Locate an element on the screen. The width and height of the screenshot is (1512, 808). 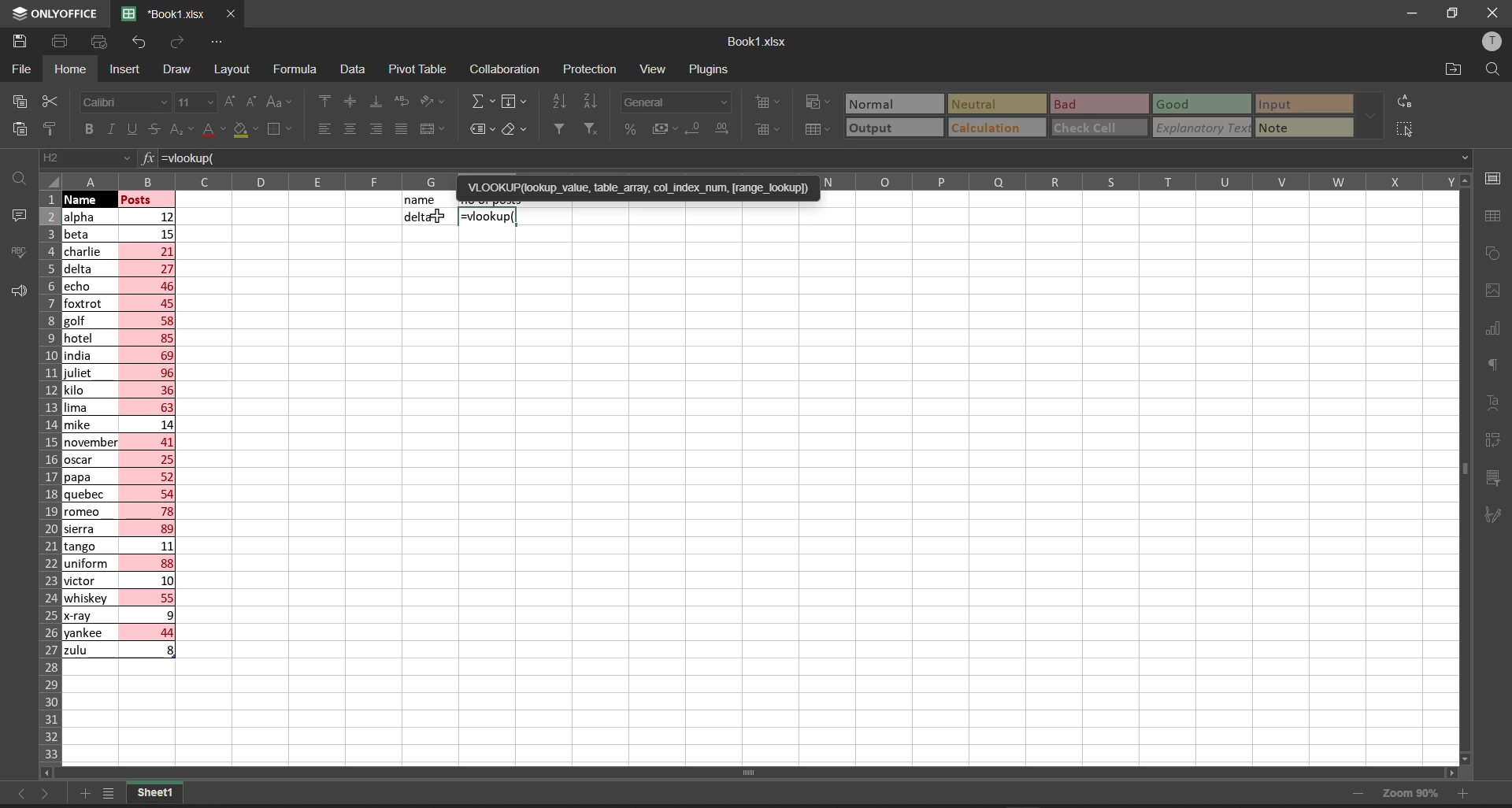
font size is located at coordinates (196, 102).